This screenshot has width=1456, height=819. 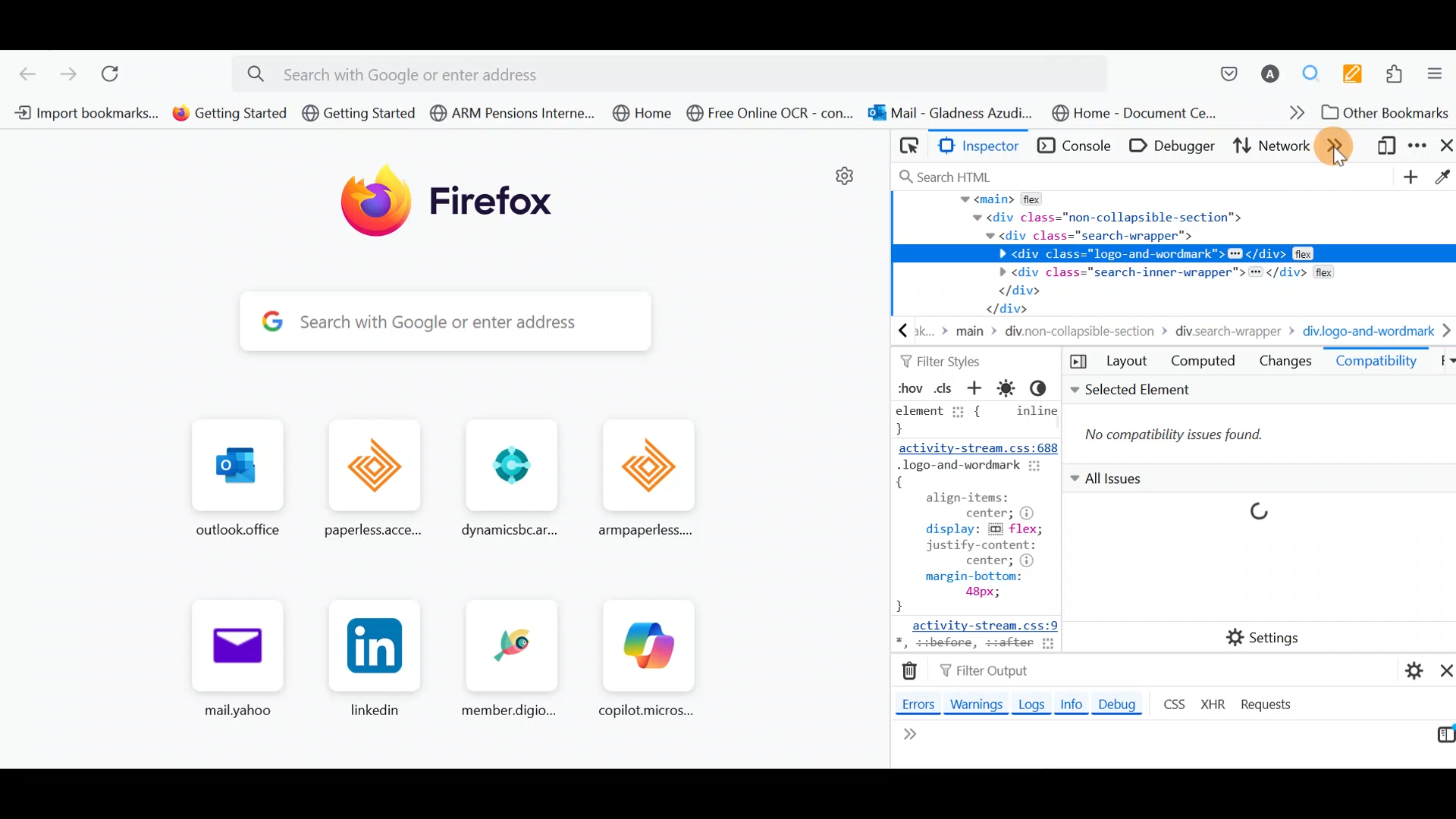 I want to click on Network, so click(x=1269, y=148).